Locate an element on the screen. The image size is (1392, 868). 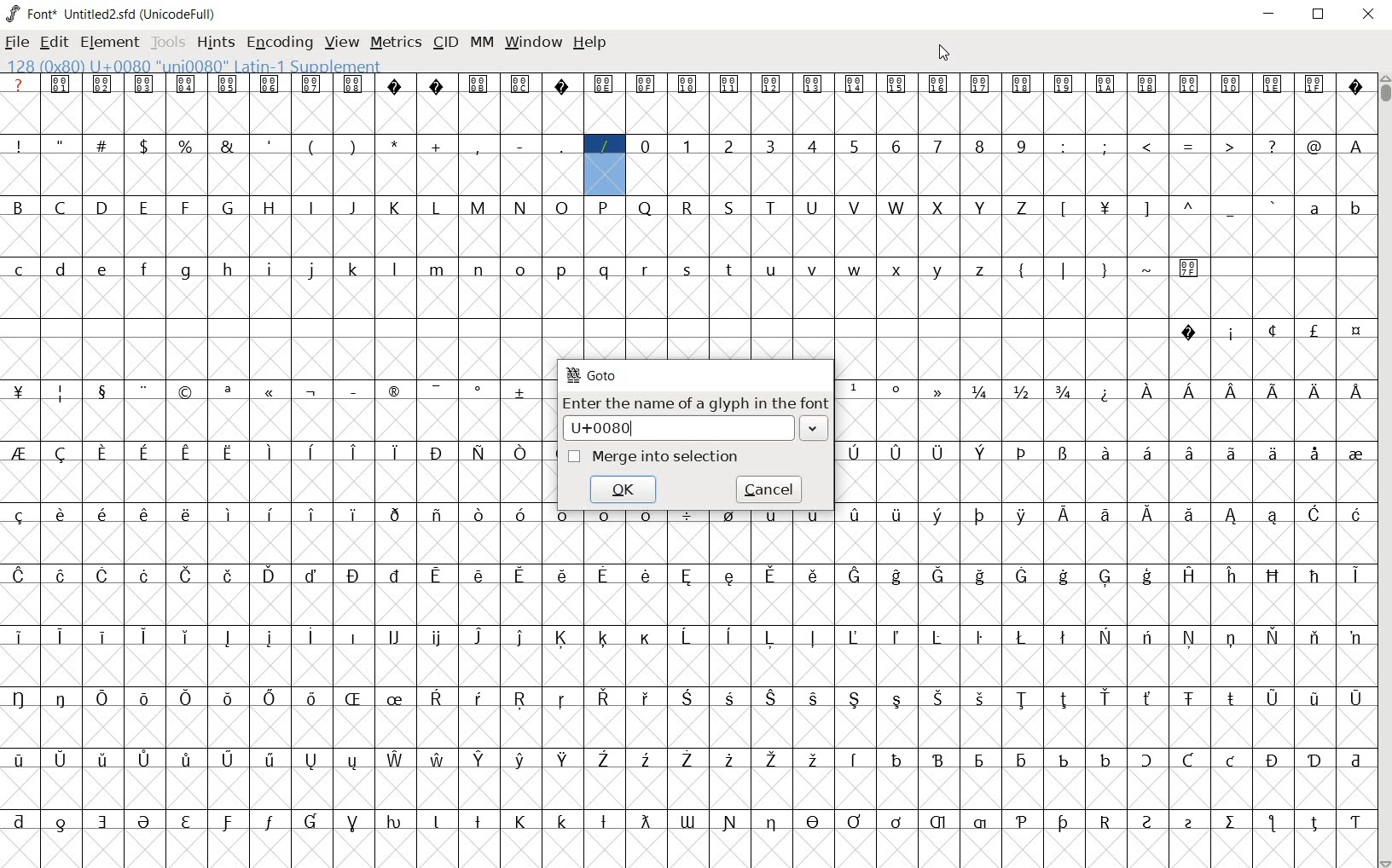
unicode value is located at coordinates (679, 427).